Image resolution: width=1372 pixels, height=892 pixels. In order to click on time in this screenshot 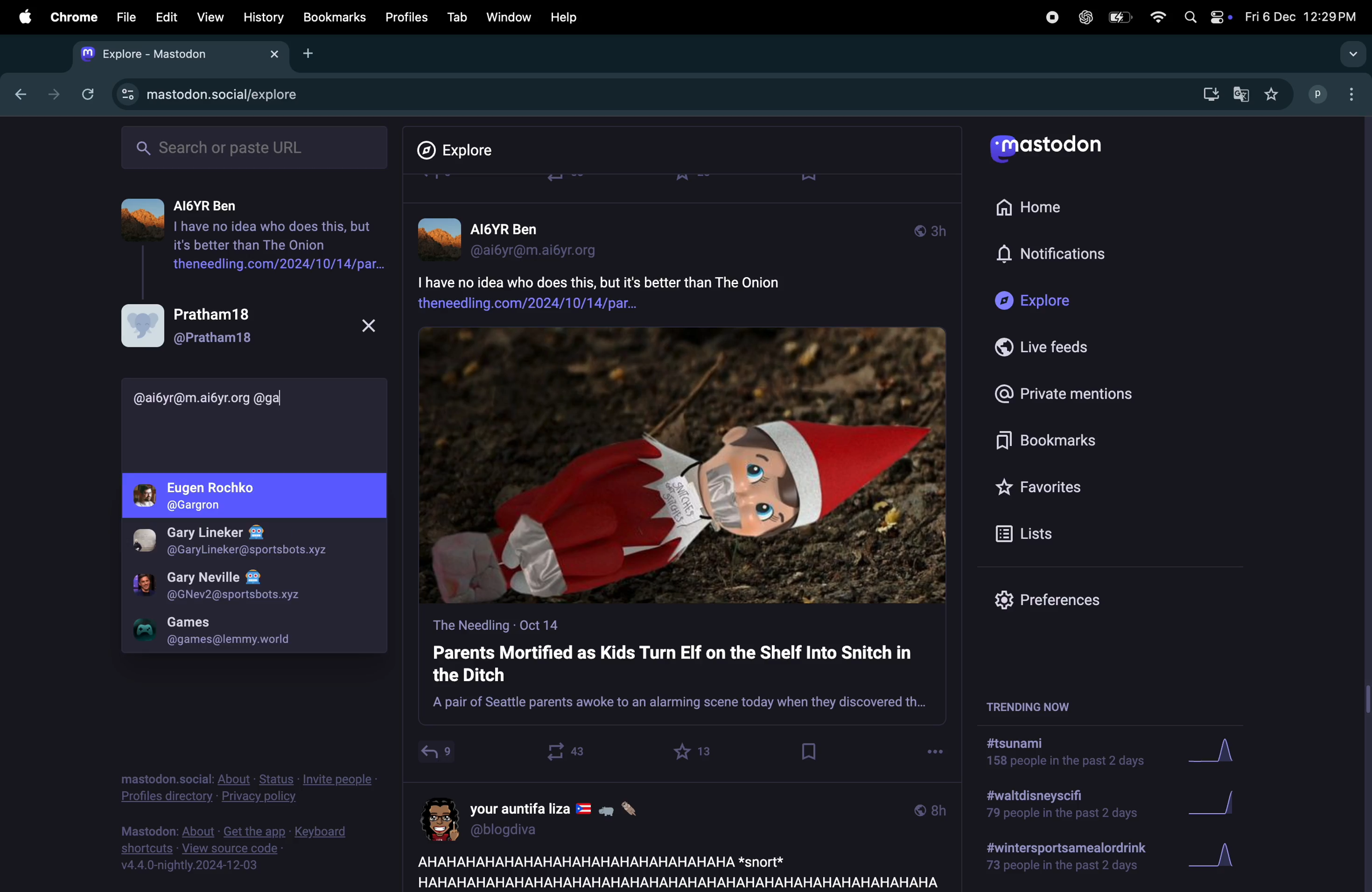, I will do `click(930, 809)`.